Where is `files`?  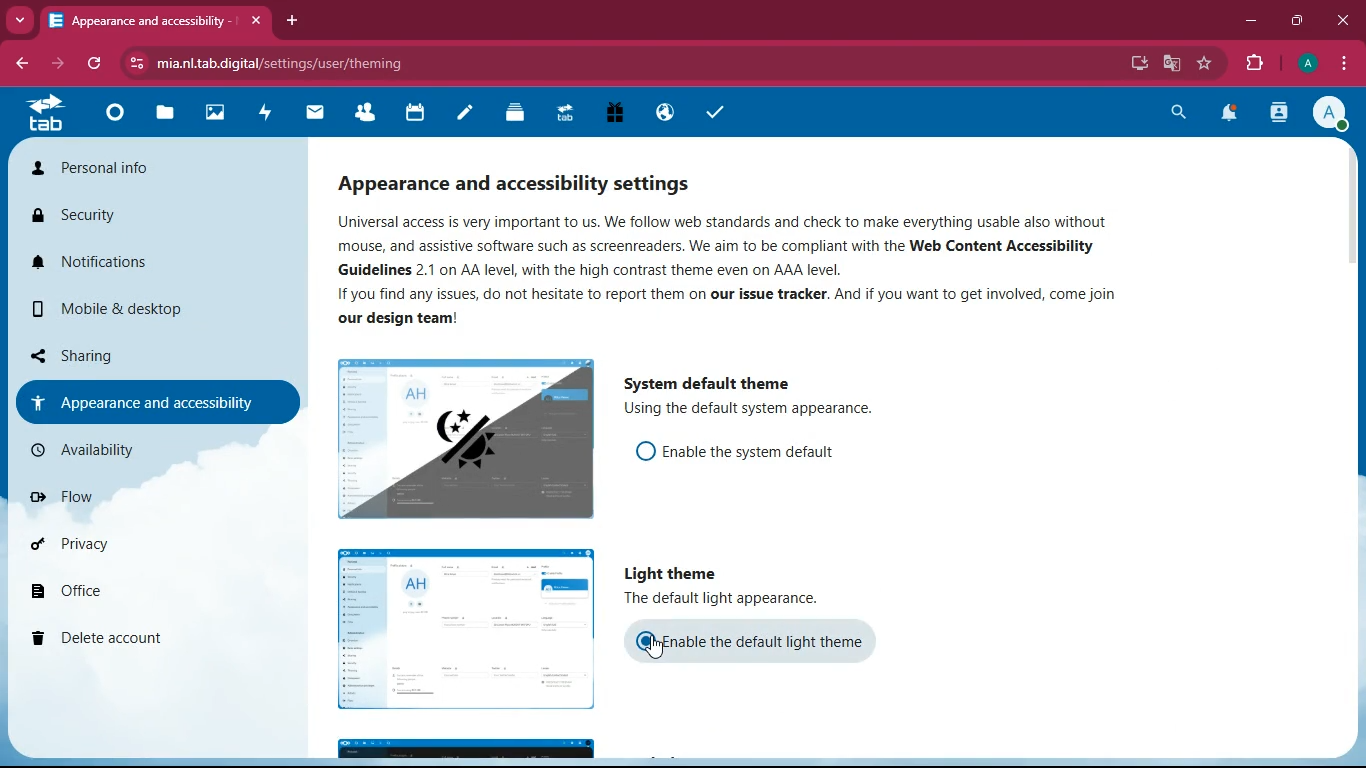 files is located at coordinates (163, 114).